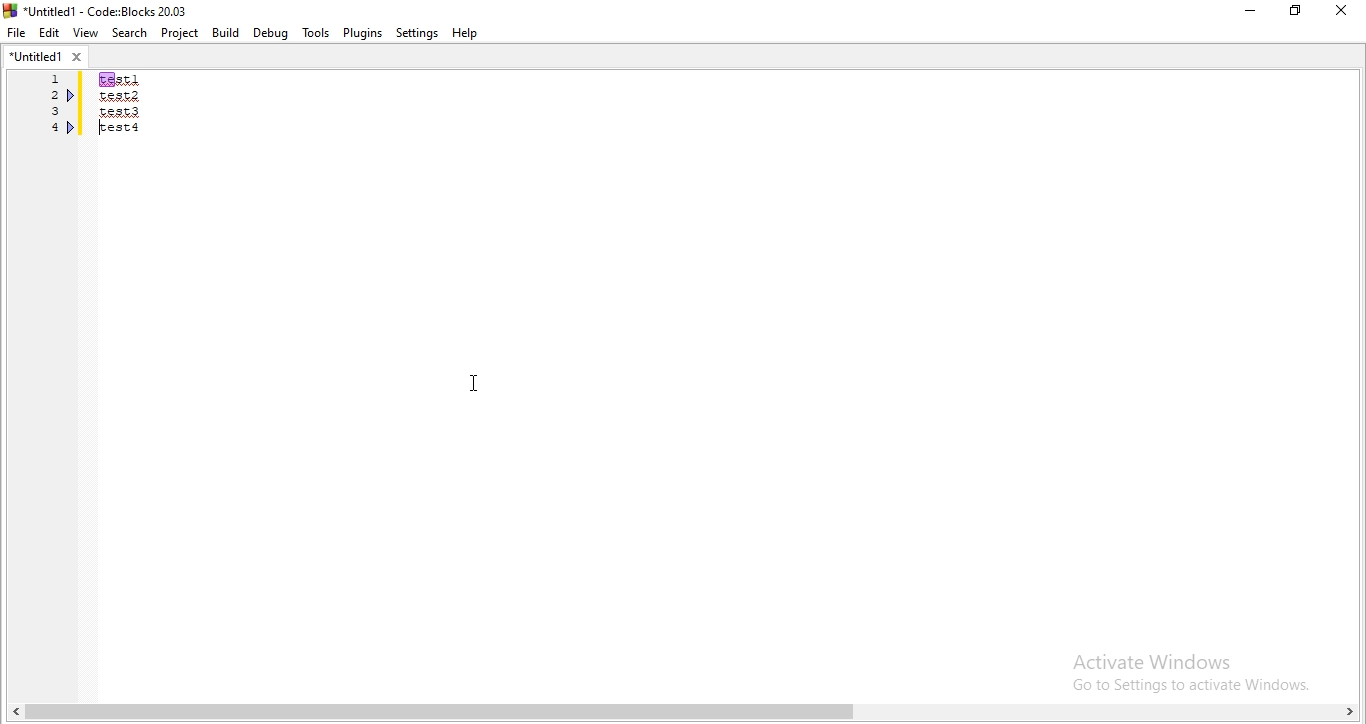  I want to click on Maximize, so click(1299, 13).